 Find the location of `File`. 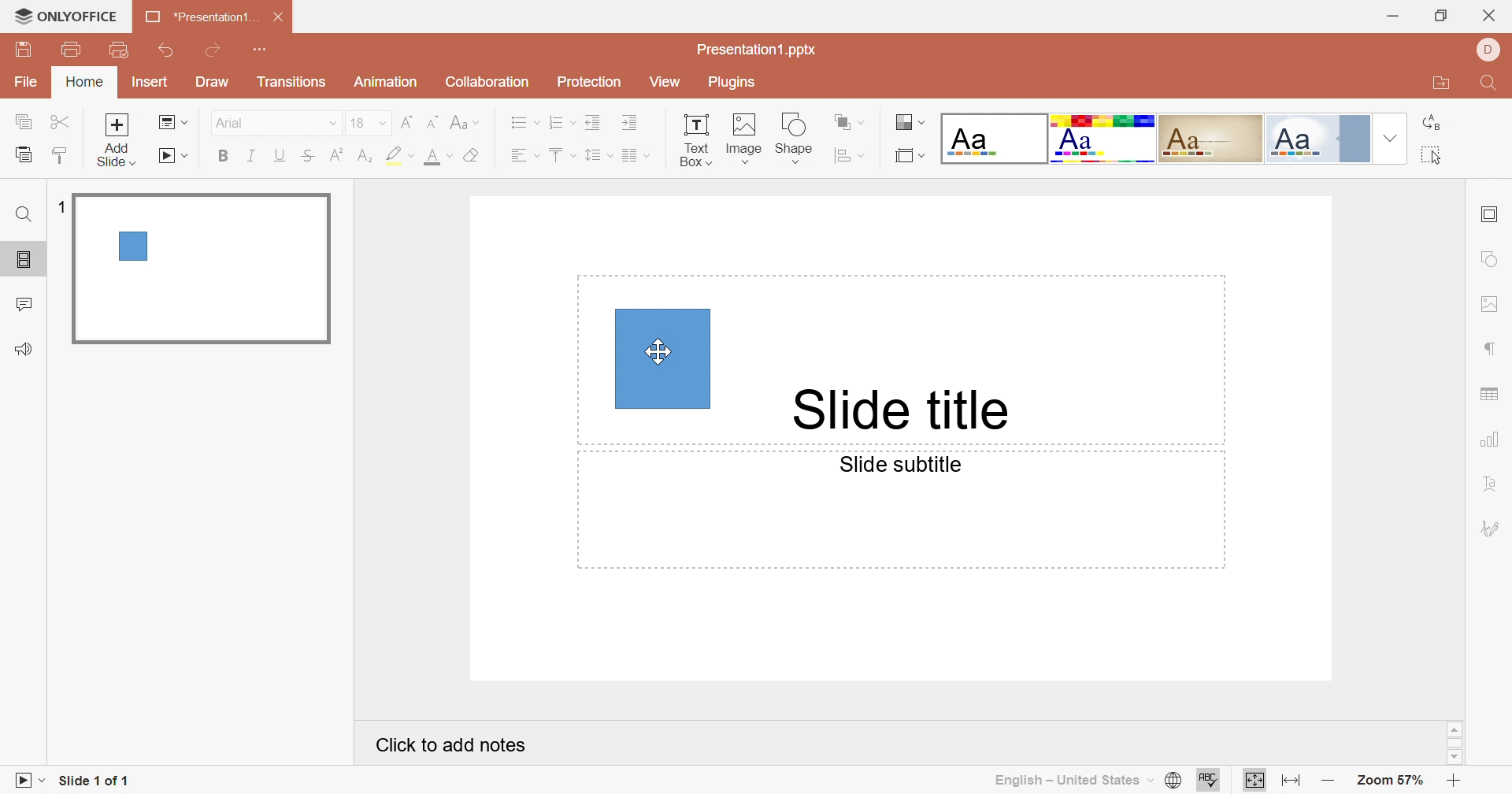

File is located at coordinates (26, 83).